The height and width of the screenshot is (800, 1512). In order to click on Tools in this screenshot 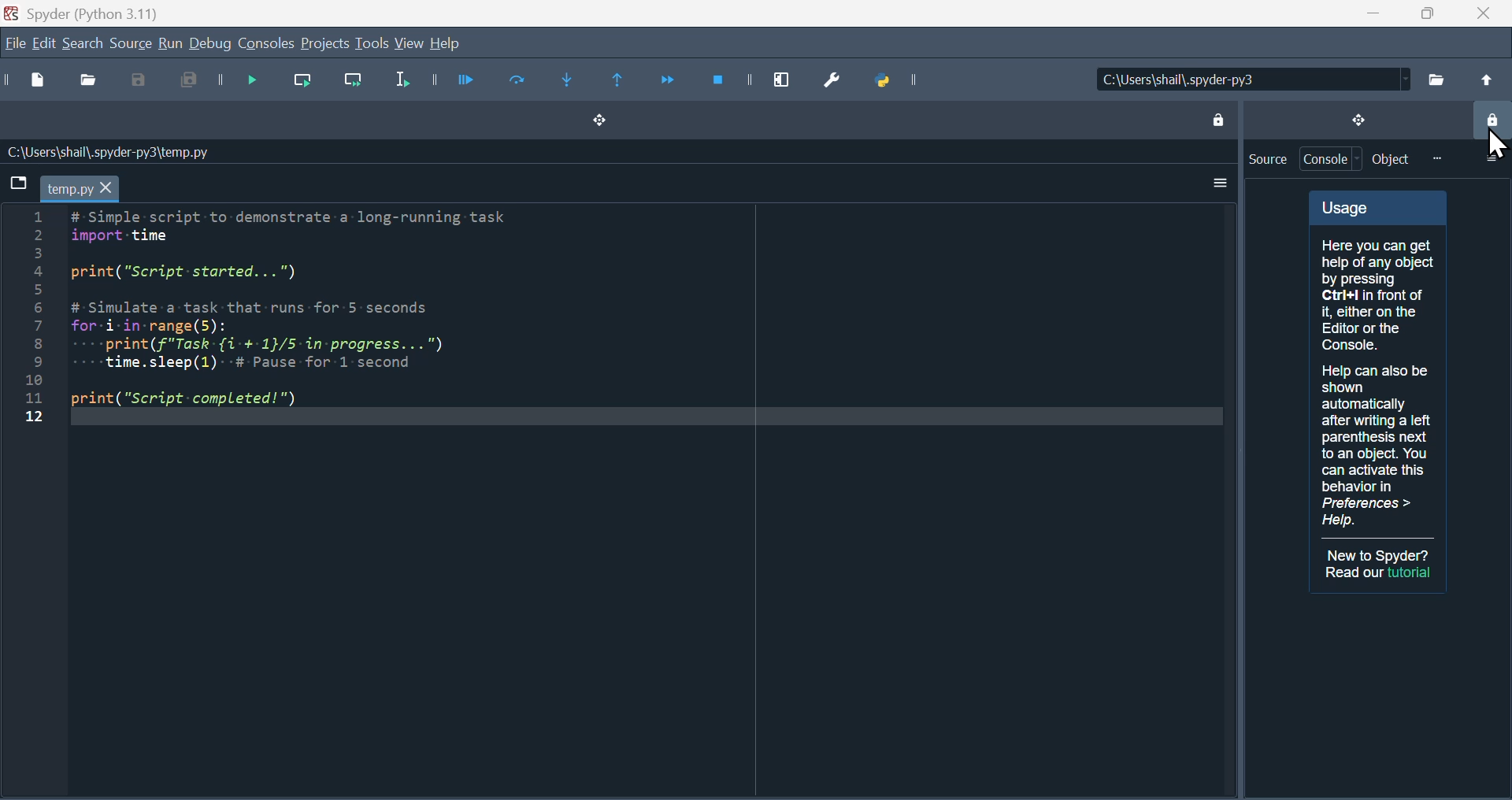, I will do `click(371, 43)`.